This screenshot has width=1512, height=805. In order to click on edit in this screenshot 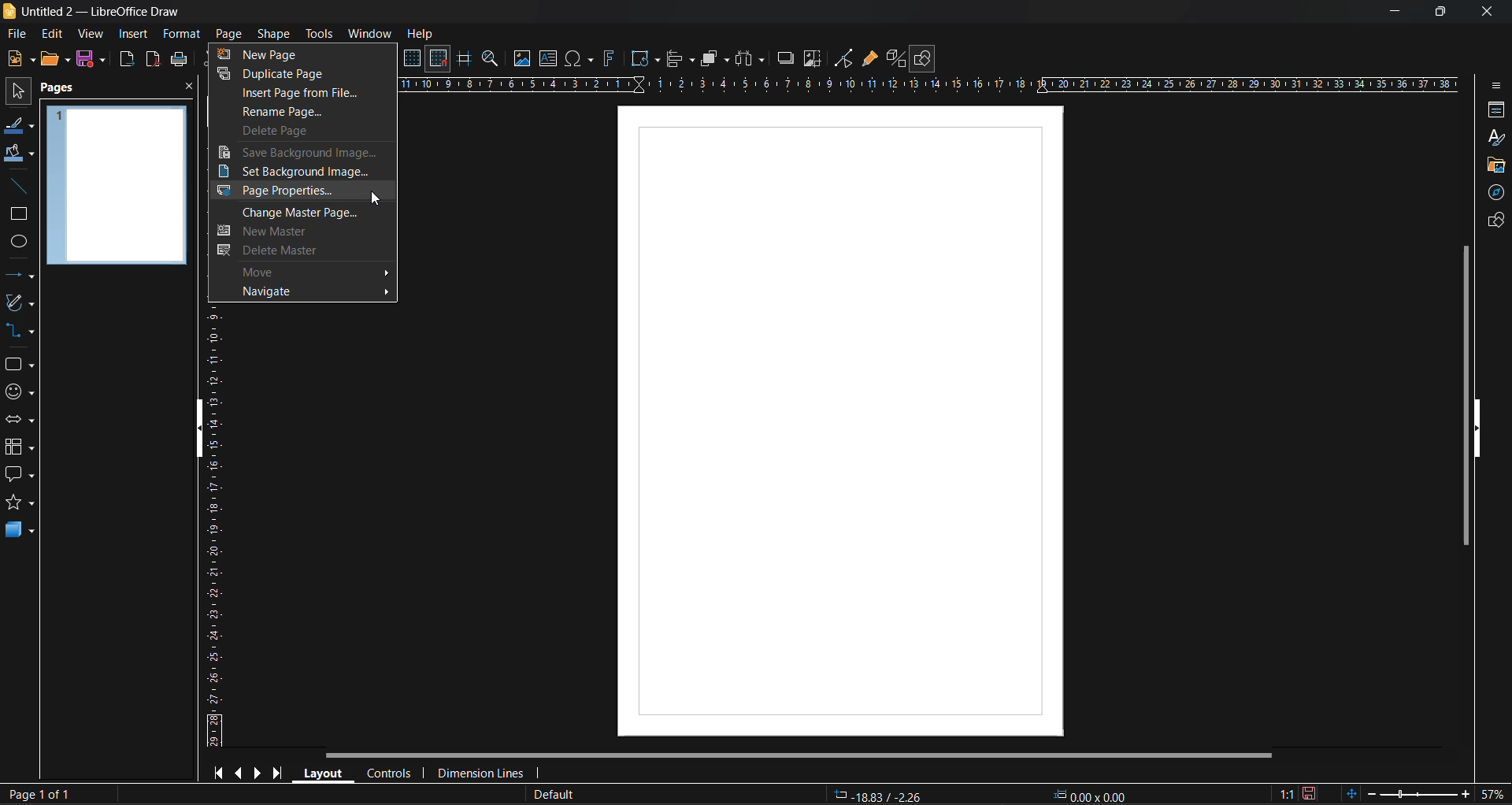, I will do `click(53, 33)`.